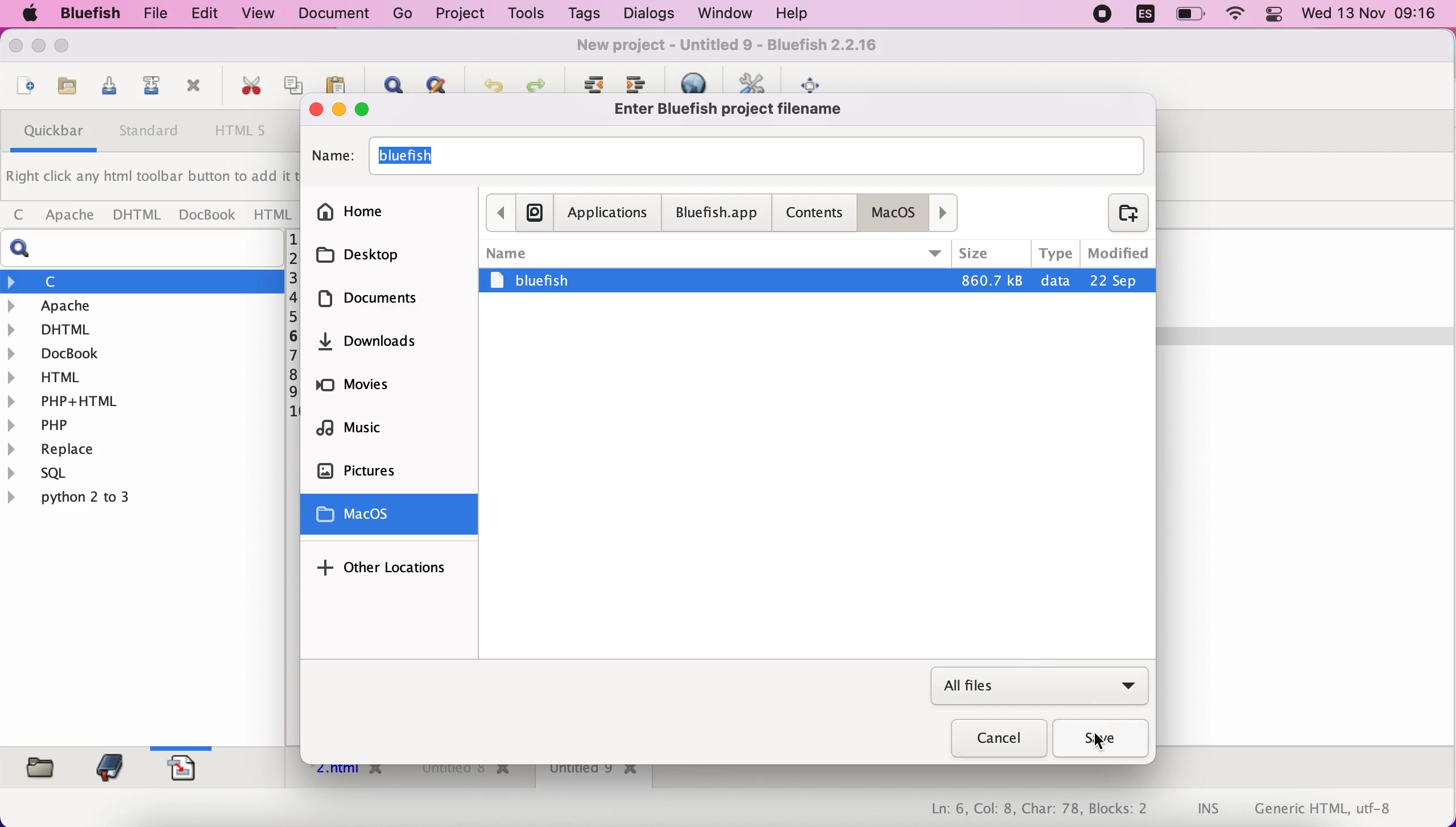 The height and width of the screenshot is (827, 1456). I want to click on recording stopped, so click(1099, 15).